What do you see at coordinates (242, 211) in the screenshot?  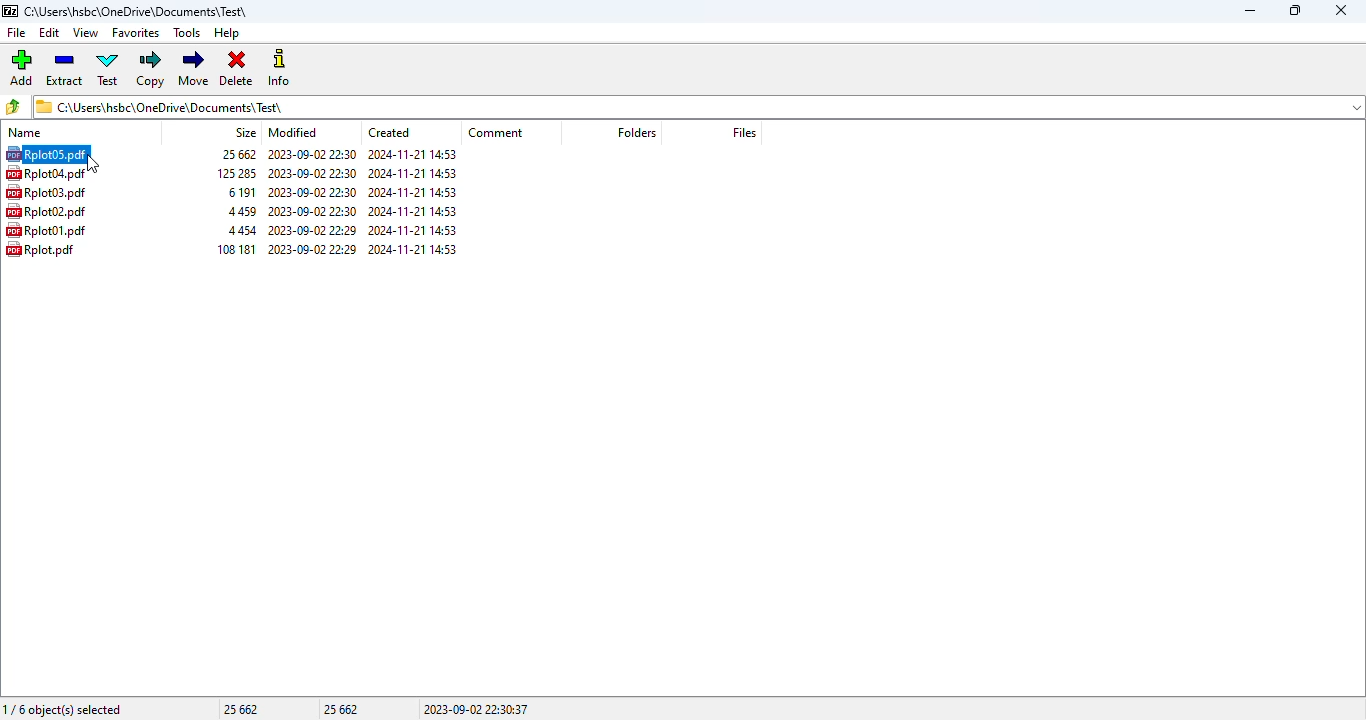 I see `size` at bounding box center [242, 211].